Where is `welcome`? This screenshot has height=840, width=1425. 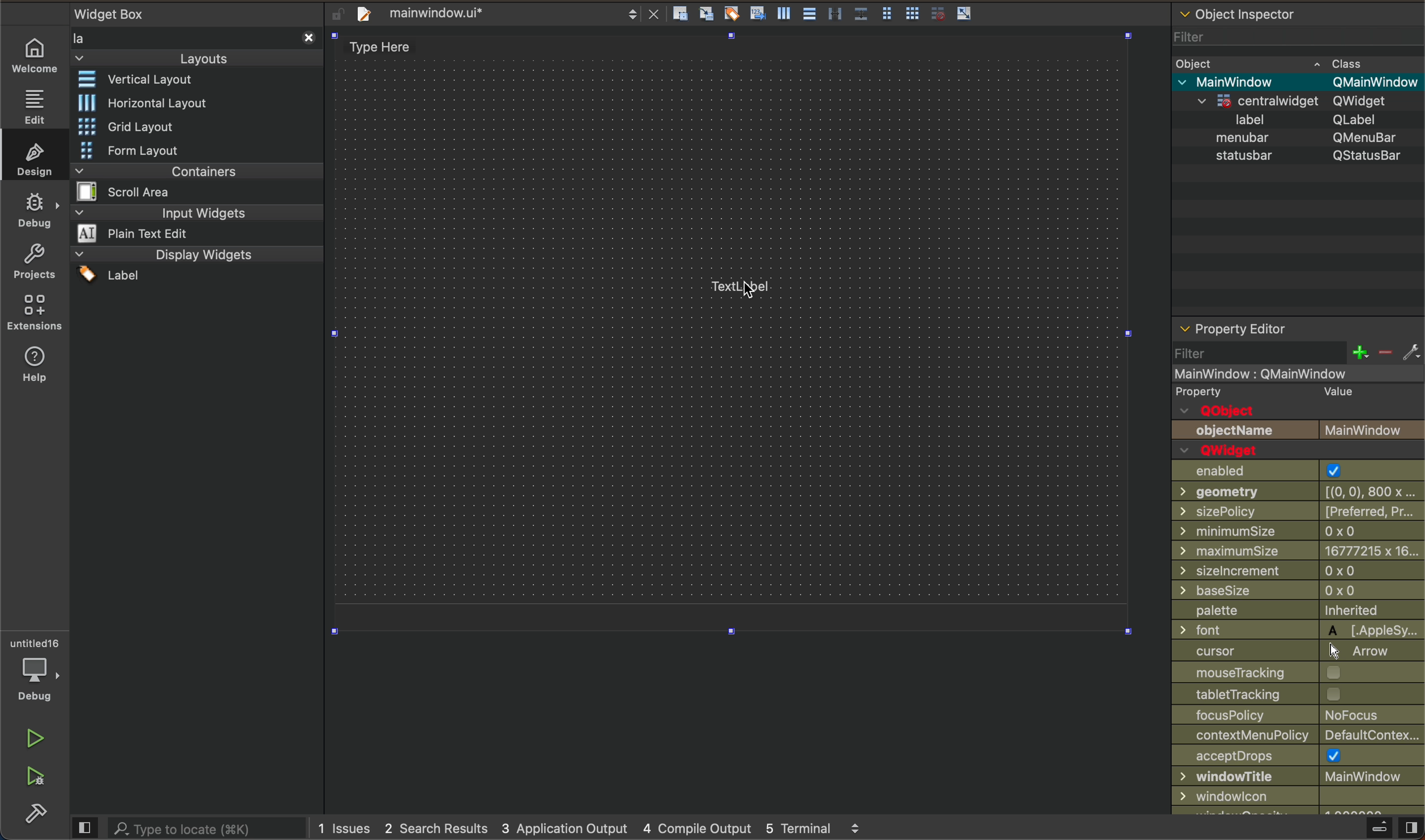
welcome is located at coordinates (35, 55).